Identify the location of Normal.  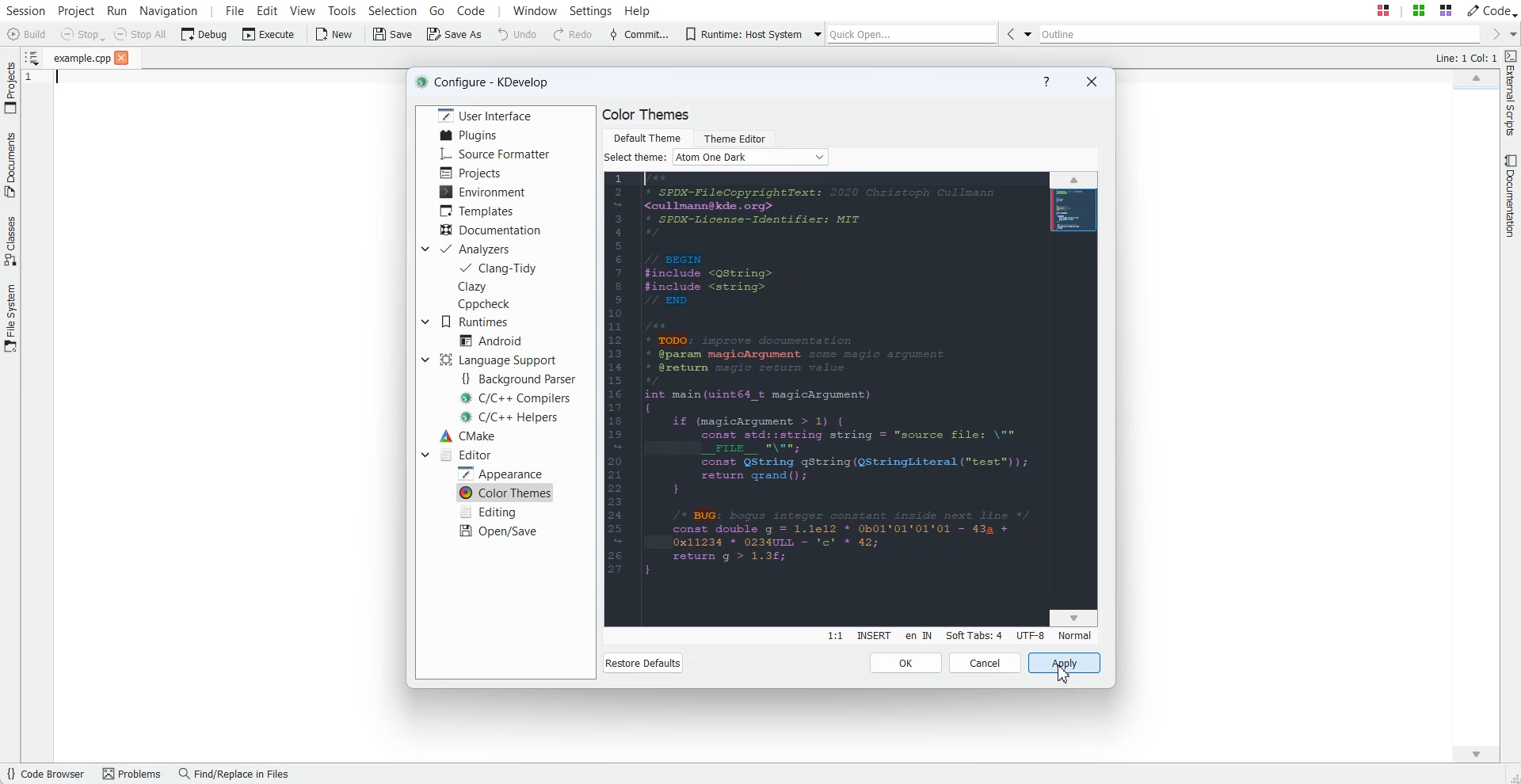
(1074, 635).